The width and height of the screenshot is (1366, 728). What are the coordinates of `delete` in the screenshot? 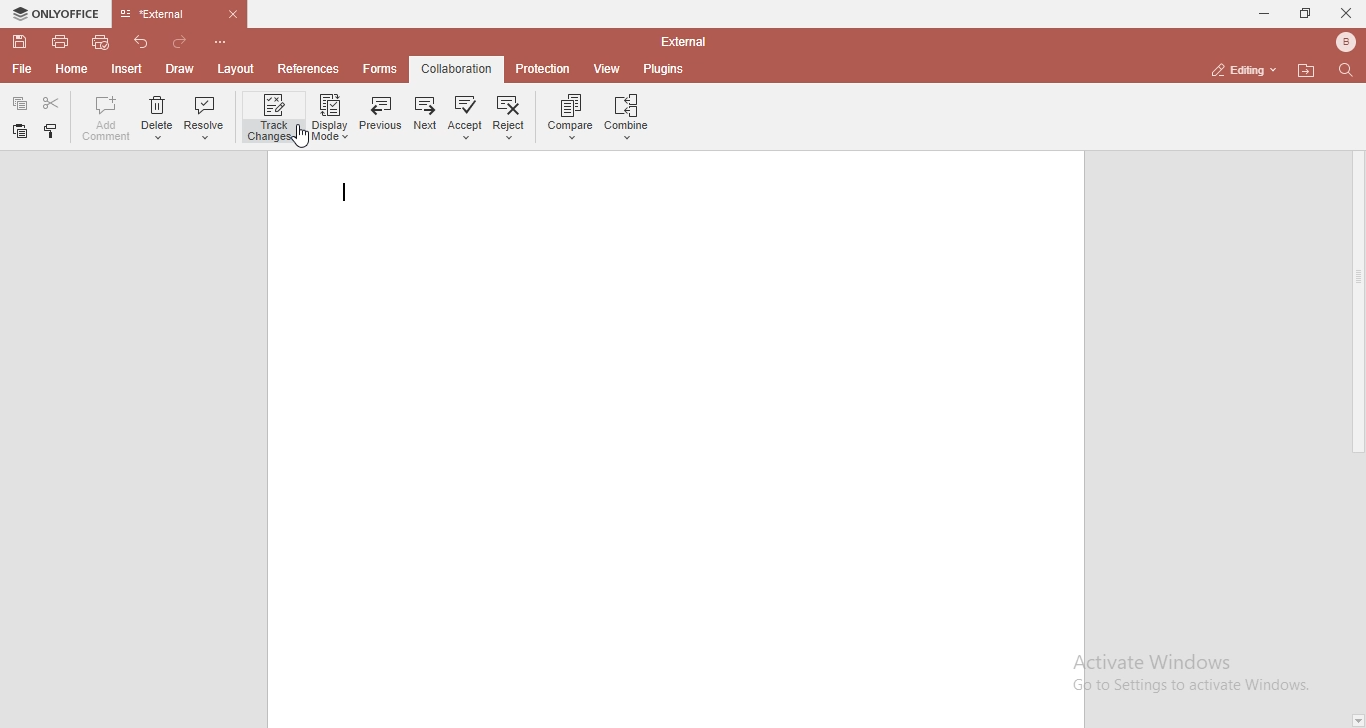 It's located at (156, 121).